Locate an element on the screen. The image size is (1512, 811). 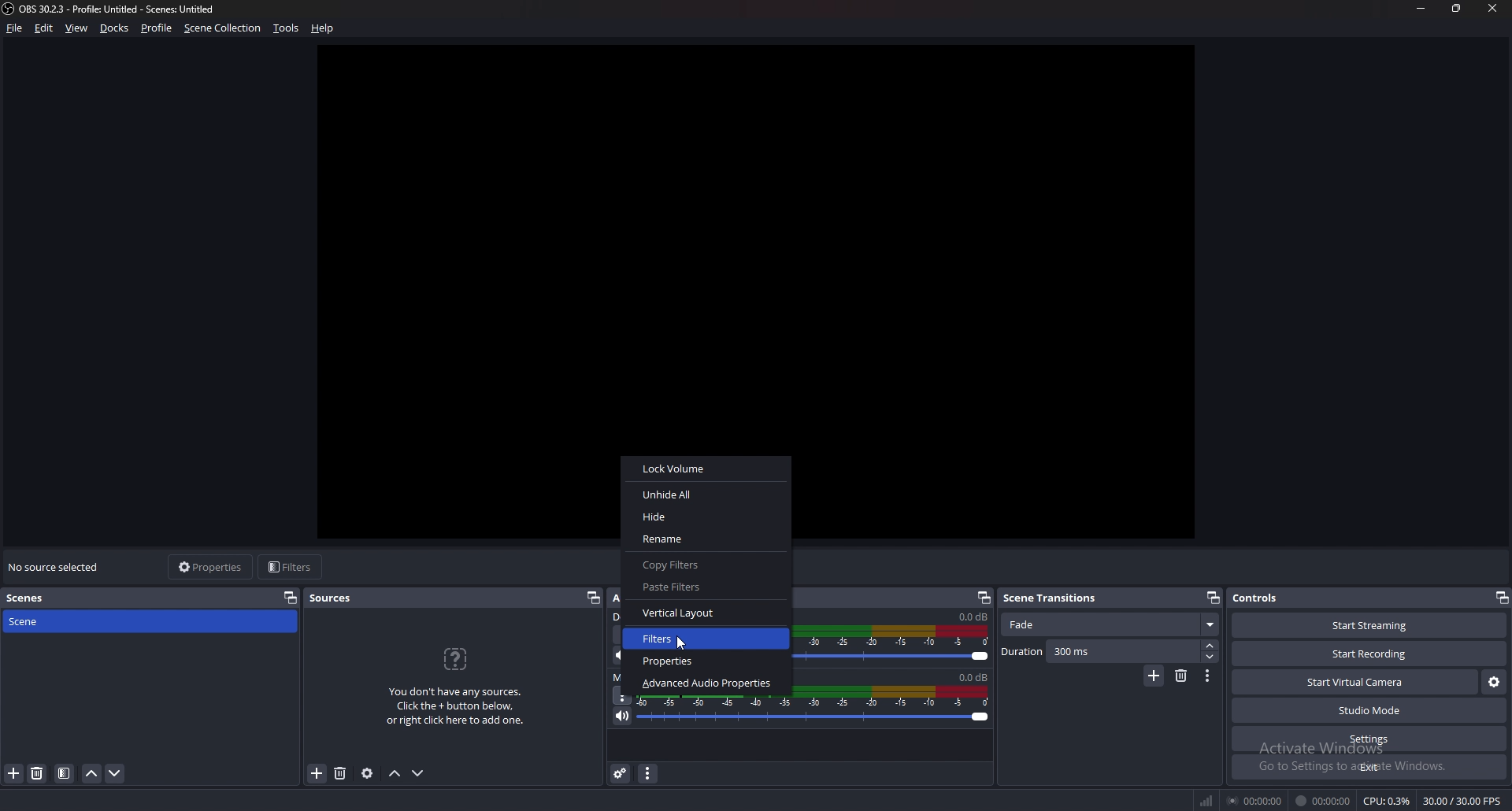
options is located at coordinates (623, 698).